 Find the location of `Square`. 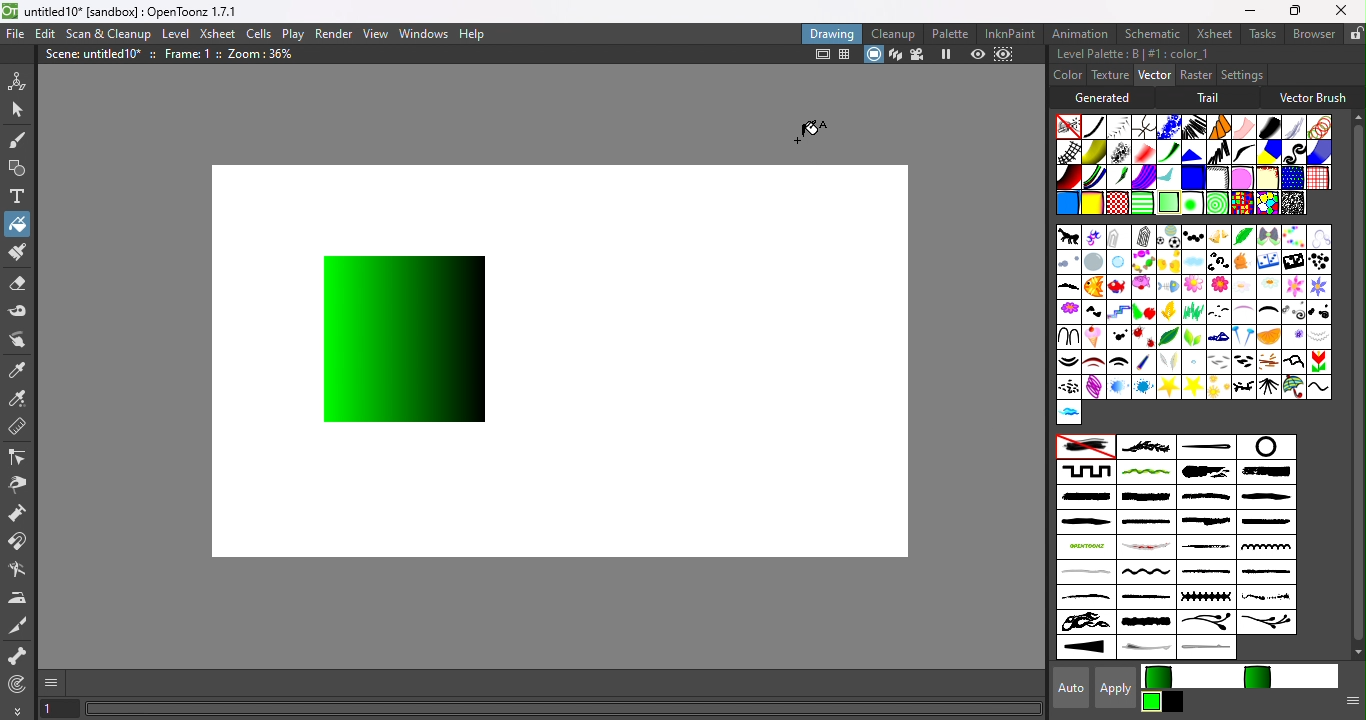

Square is located at coordinates (1318, 177).